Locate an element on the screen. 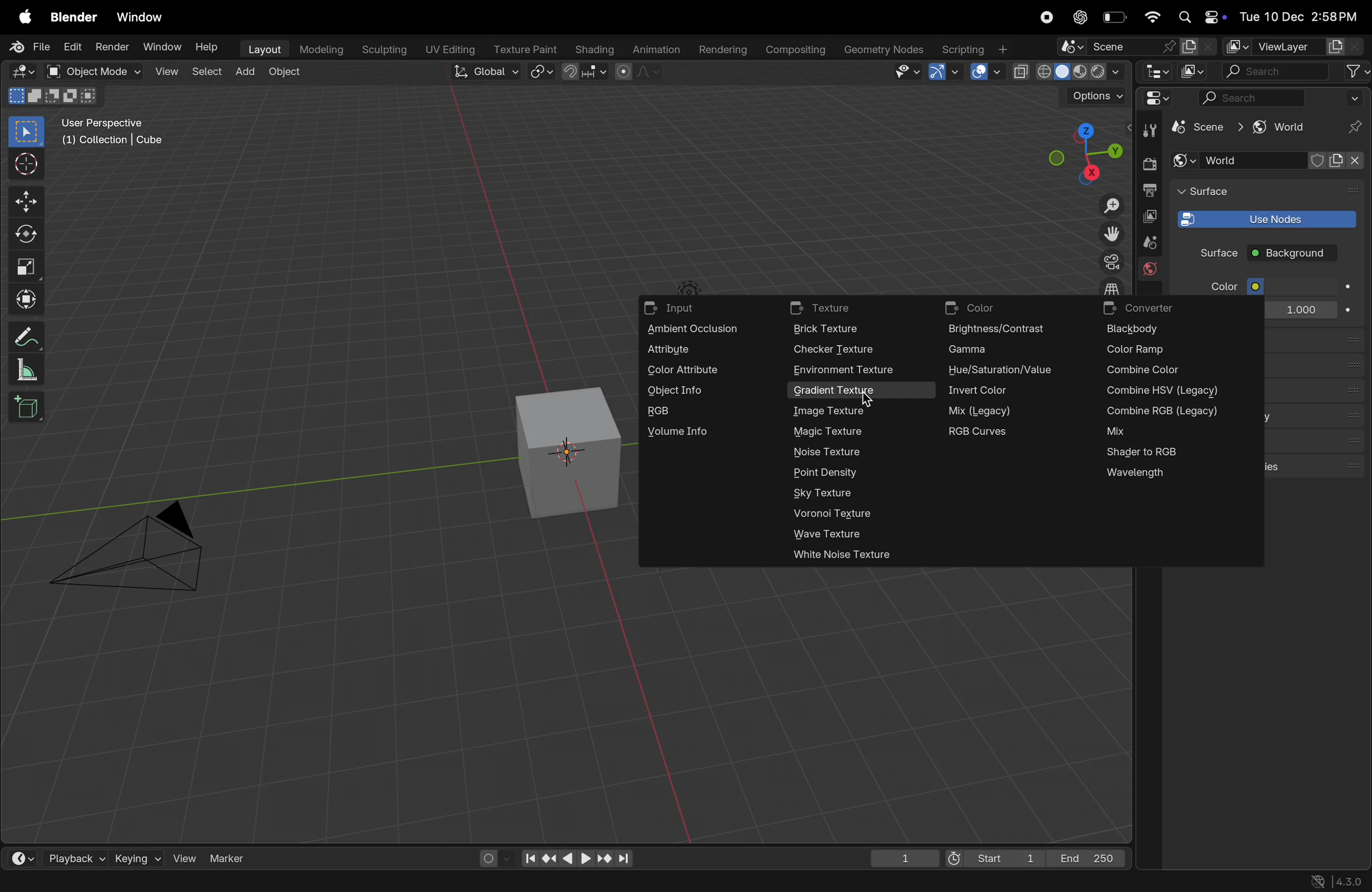  Apple menu is located at coordinates (19, 17).